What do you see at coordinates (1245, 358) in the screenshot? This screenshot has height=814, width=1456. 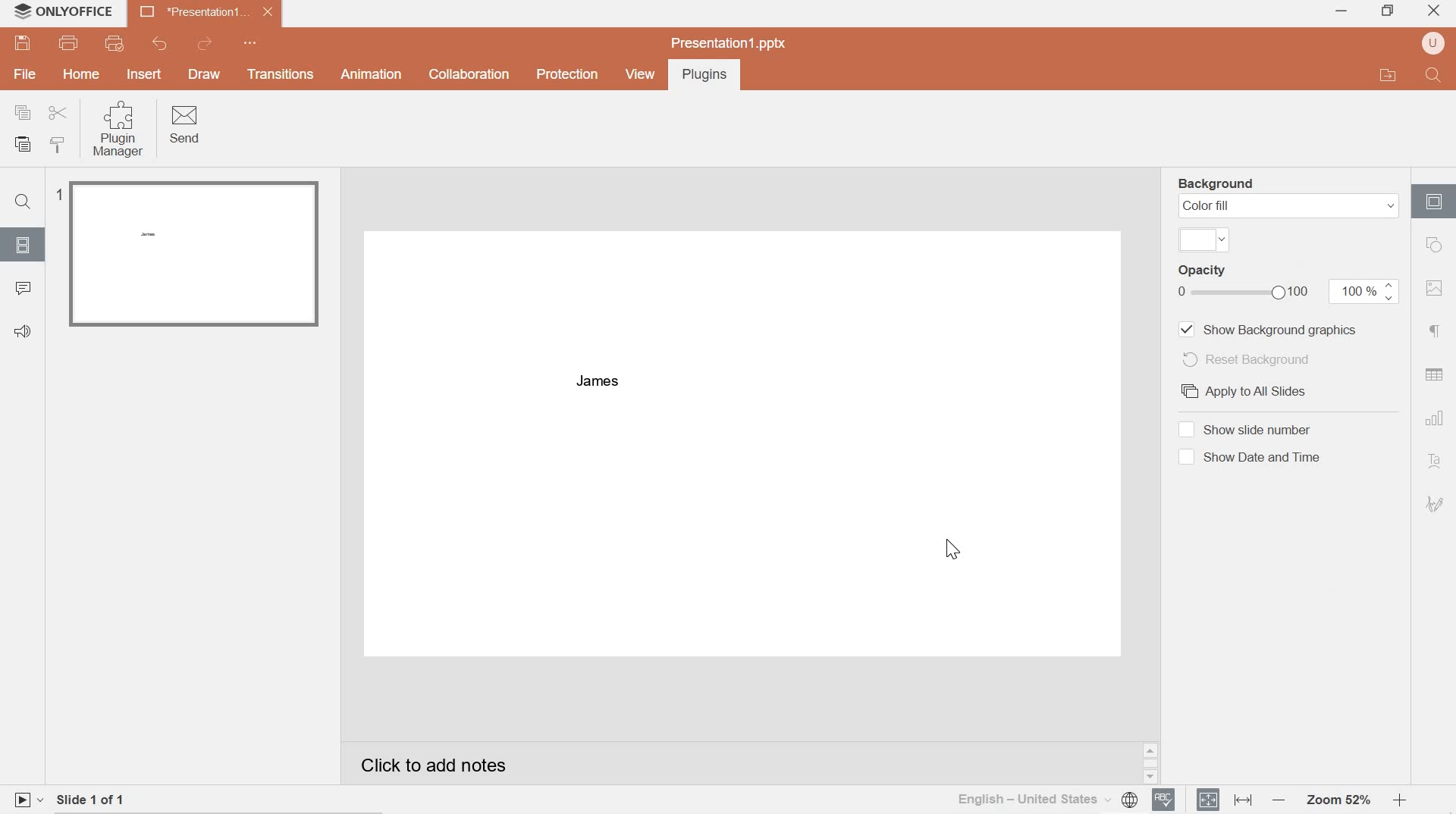 I see `Reset Background` at bounding box center [1245, 358].